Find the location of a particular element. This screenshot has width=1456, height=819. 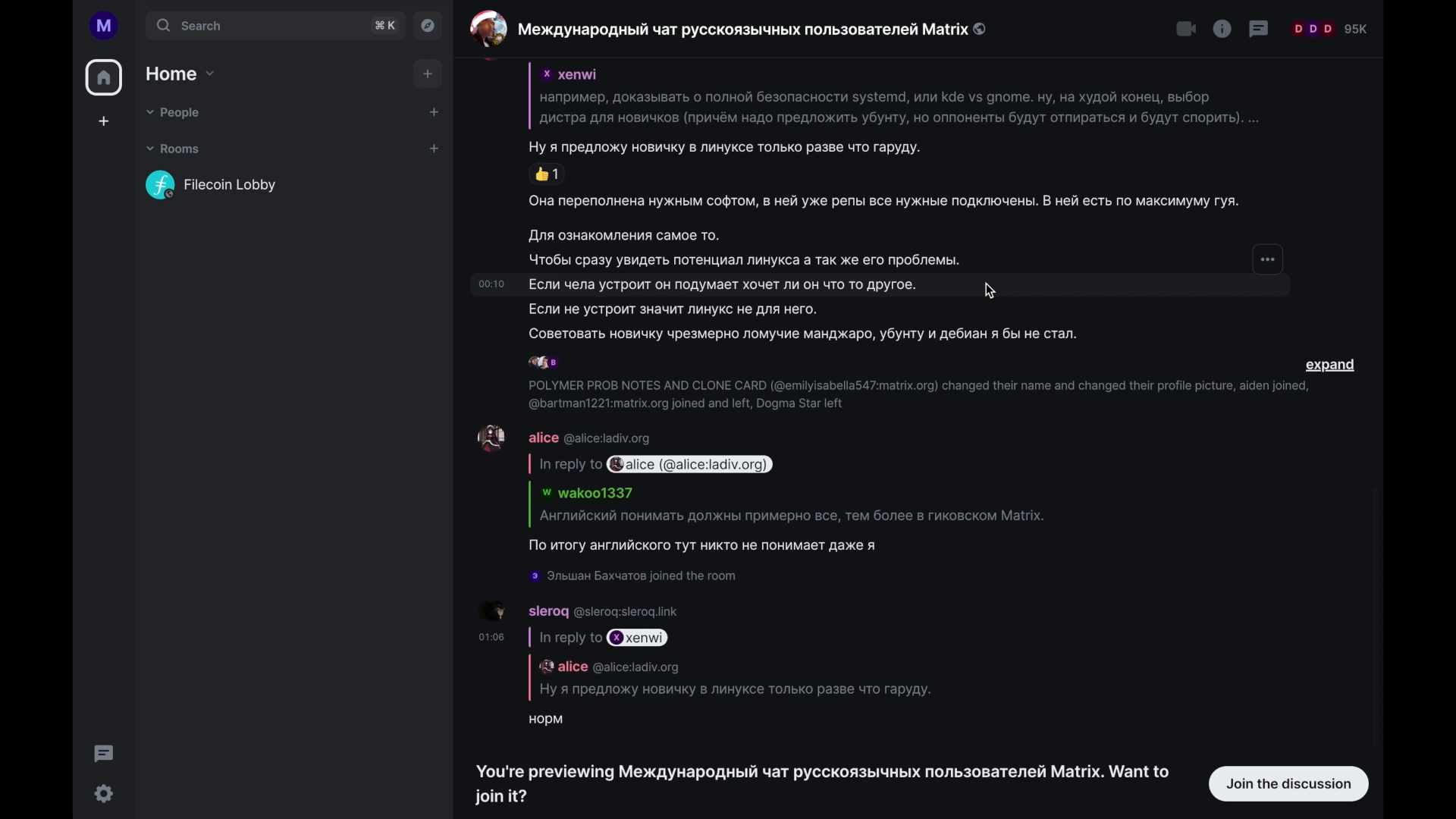

rooms dropdown is located at coordinates (177, 149).